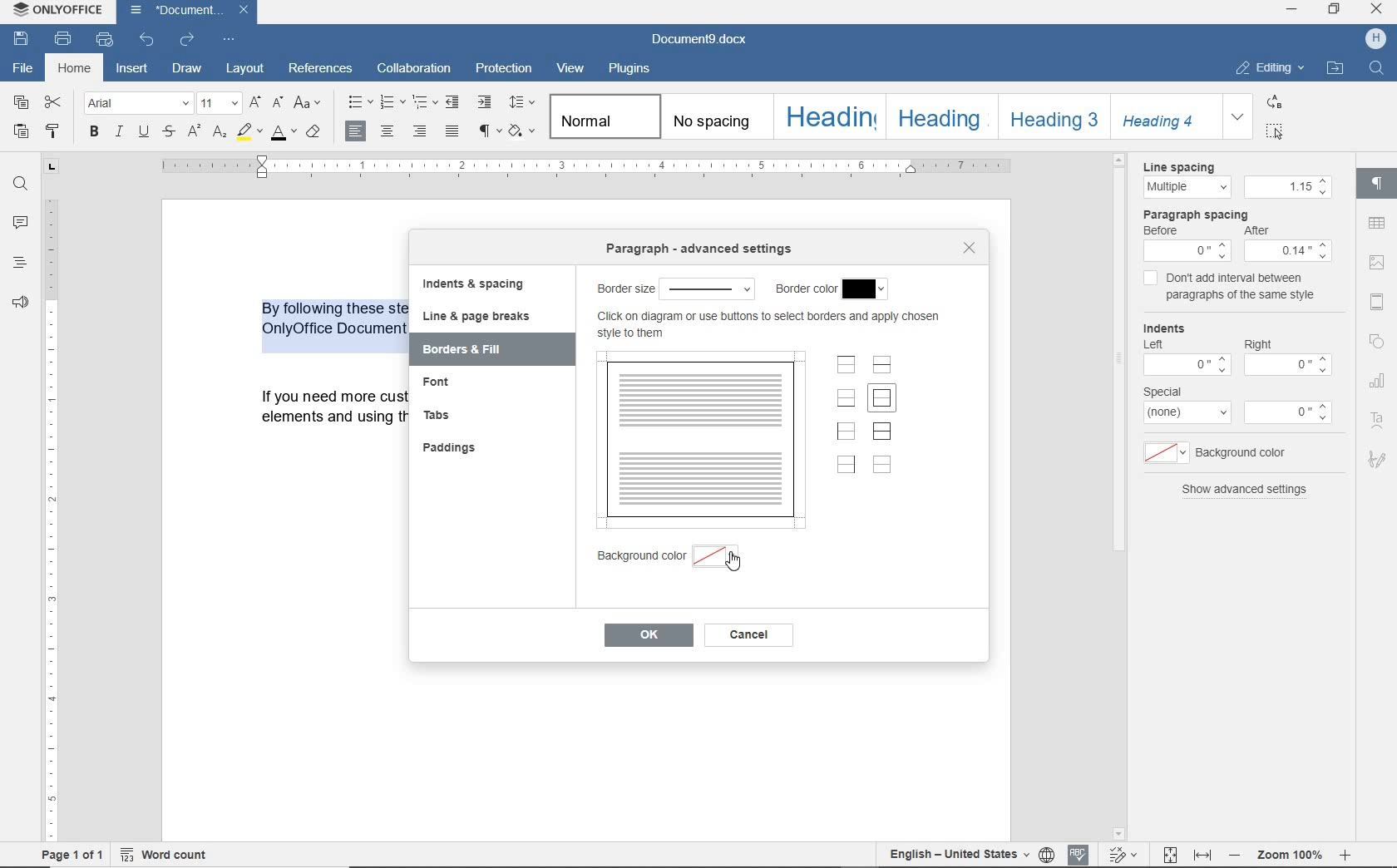  What do you see at coordinates (647, 636) in the screenshot?
I see `ok` at bounding box center [647, 636].